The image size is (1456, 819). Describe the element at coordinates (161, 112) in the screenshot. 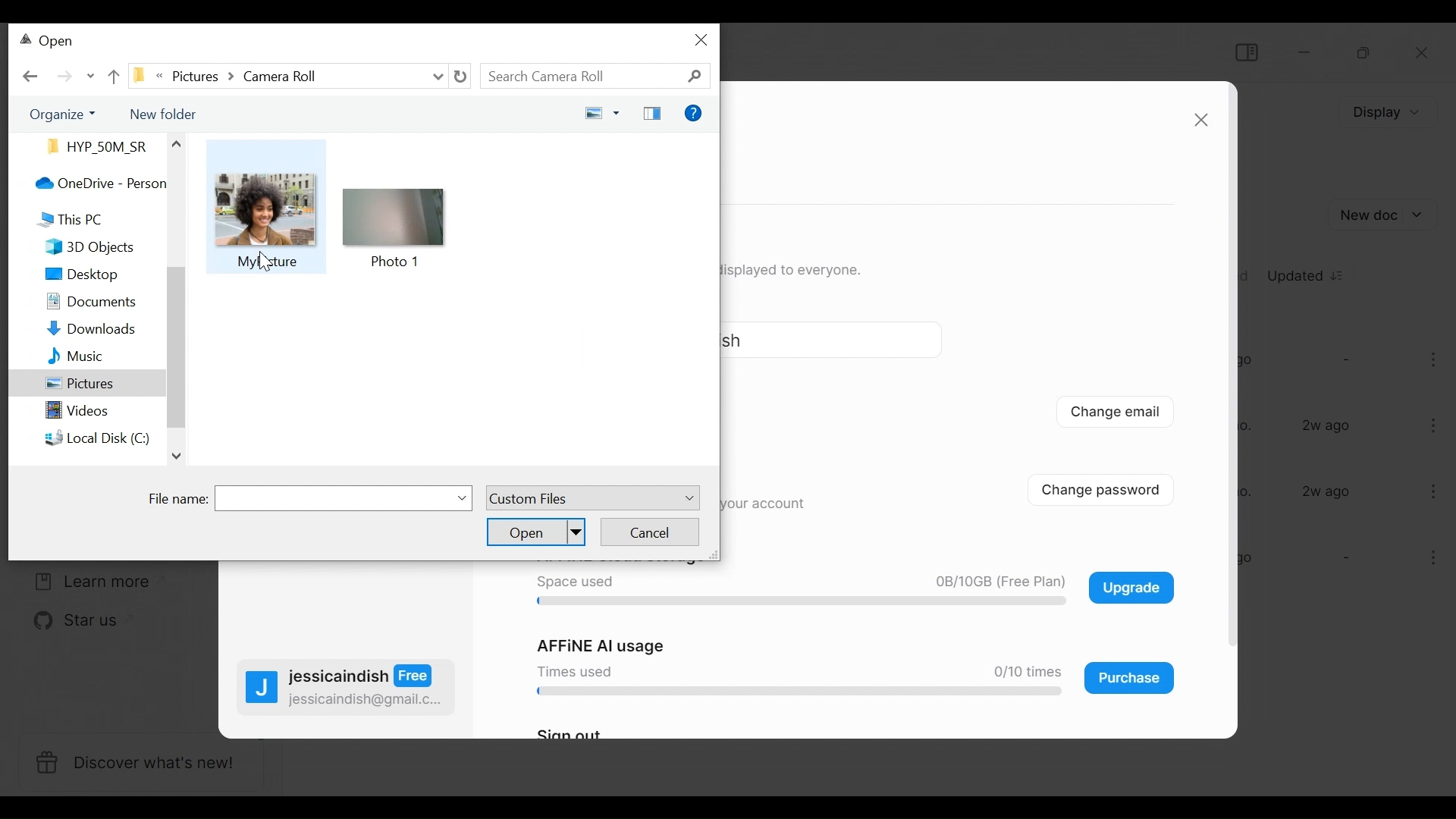

I see `New Folder` at that location.